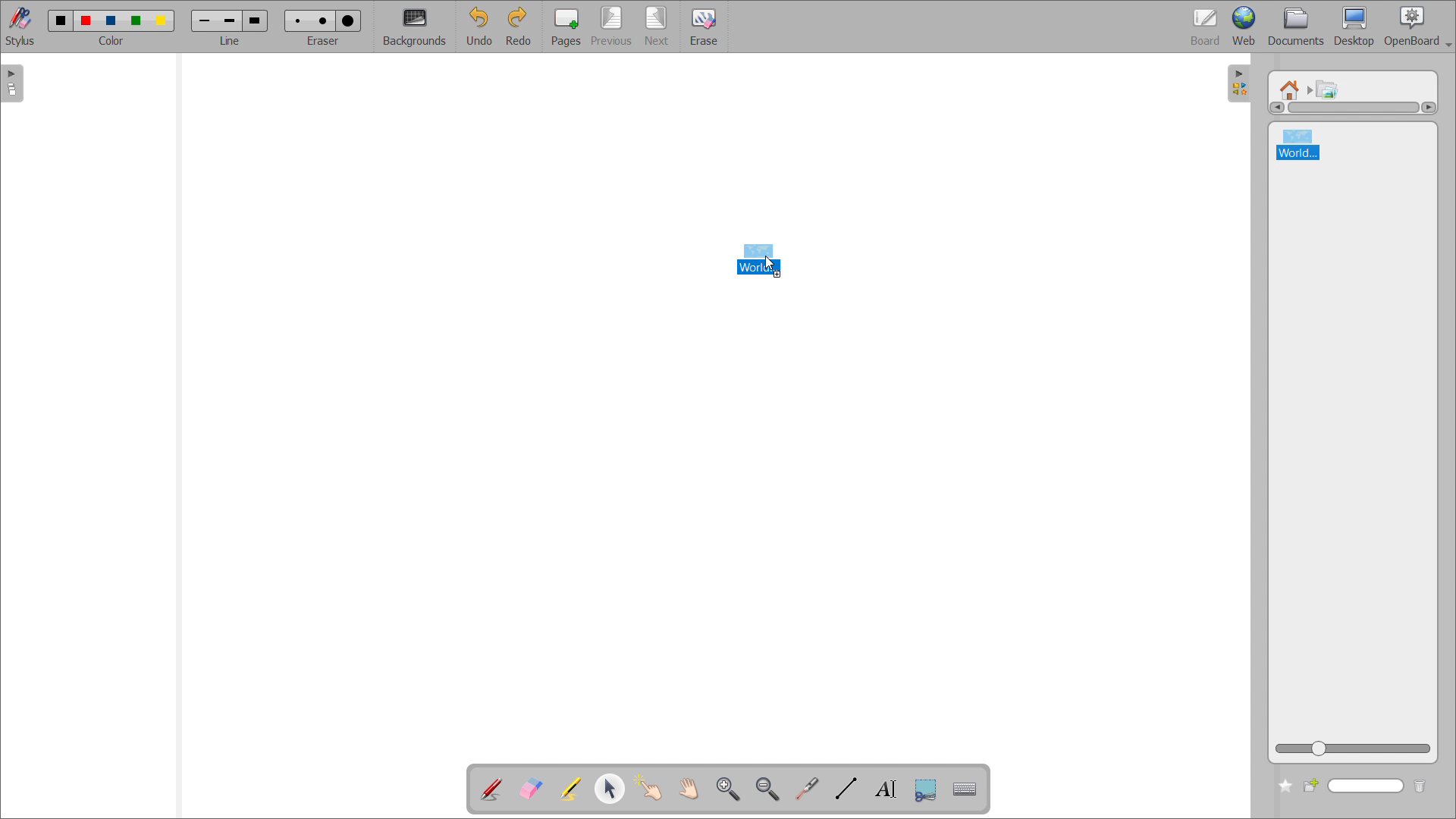  I want to click on documents, so click(1296, 27).